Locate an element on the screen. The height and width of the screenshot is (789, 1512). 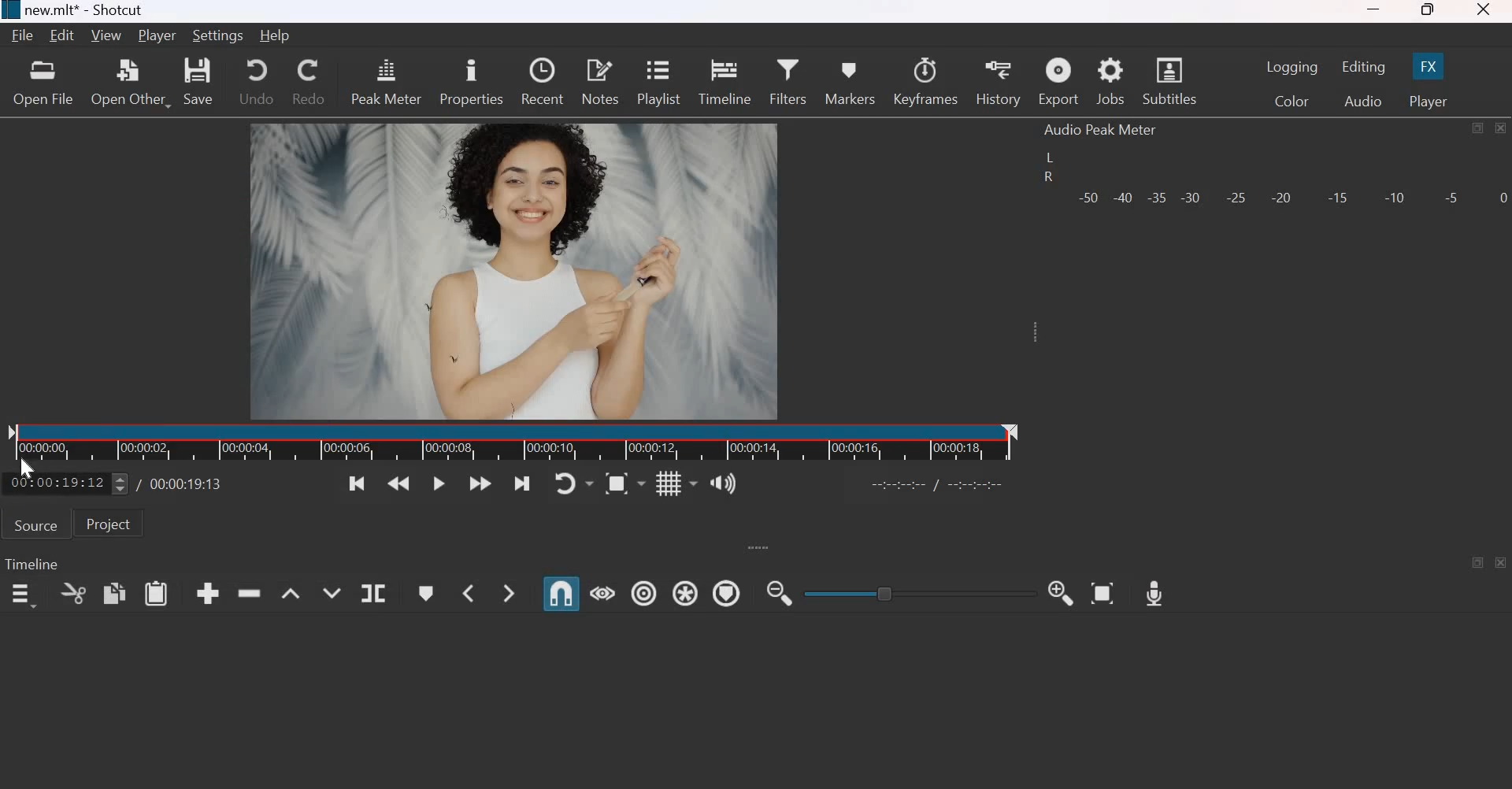
copy is located at coordinates (115, 592).